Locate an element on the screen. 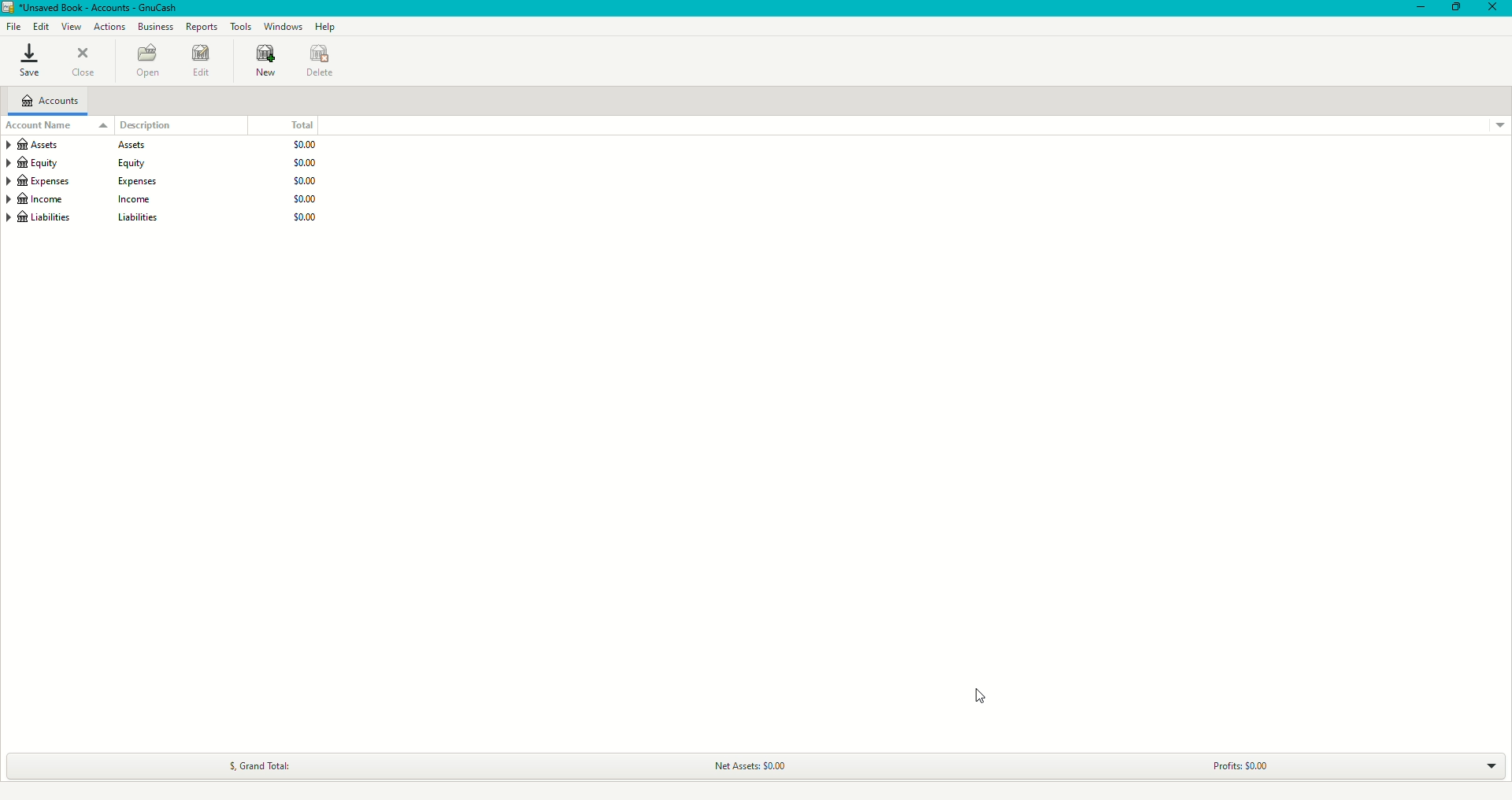 The image size is (1512, 800). Unnamed Book - Accounts - GnuCash is located at coordinates (95, 8).